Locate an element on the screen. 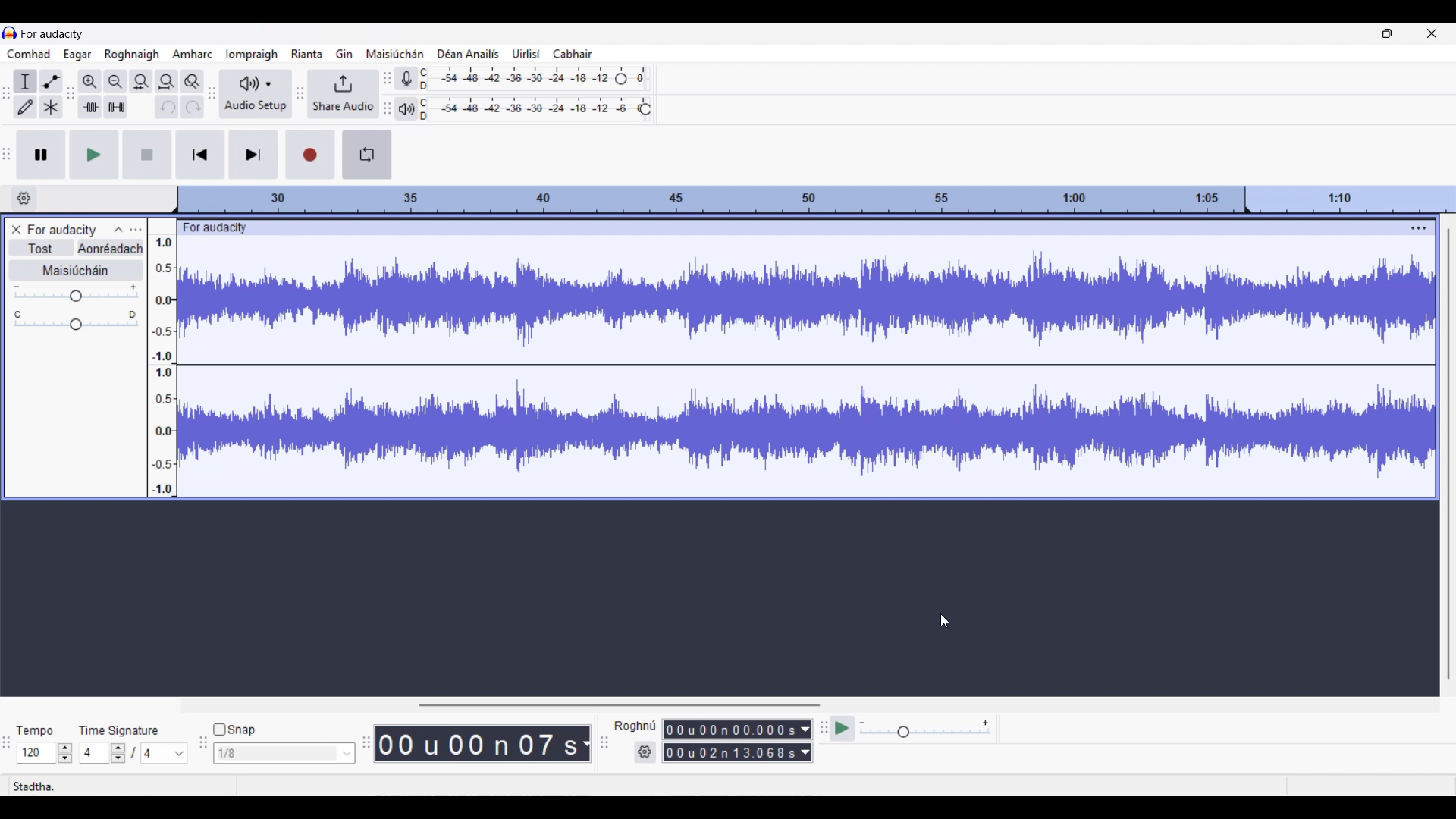 This screenshot has height=819, width=1456. Vertical slide bar is located at coordinates (1449, 454).